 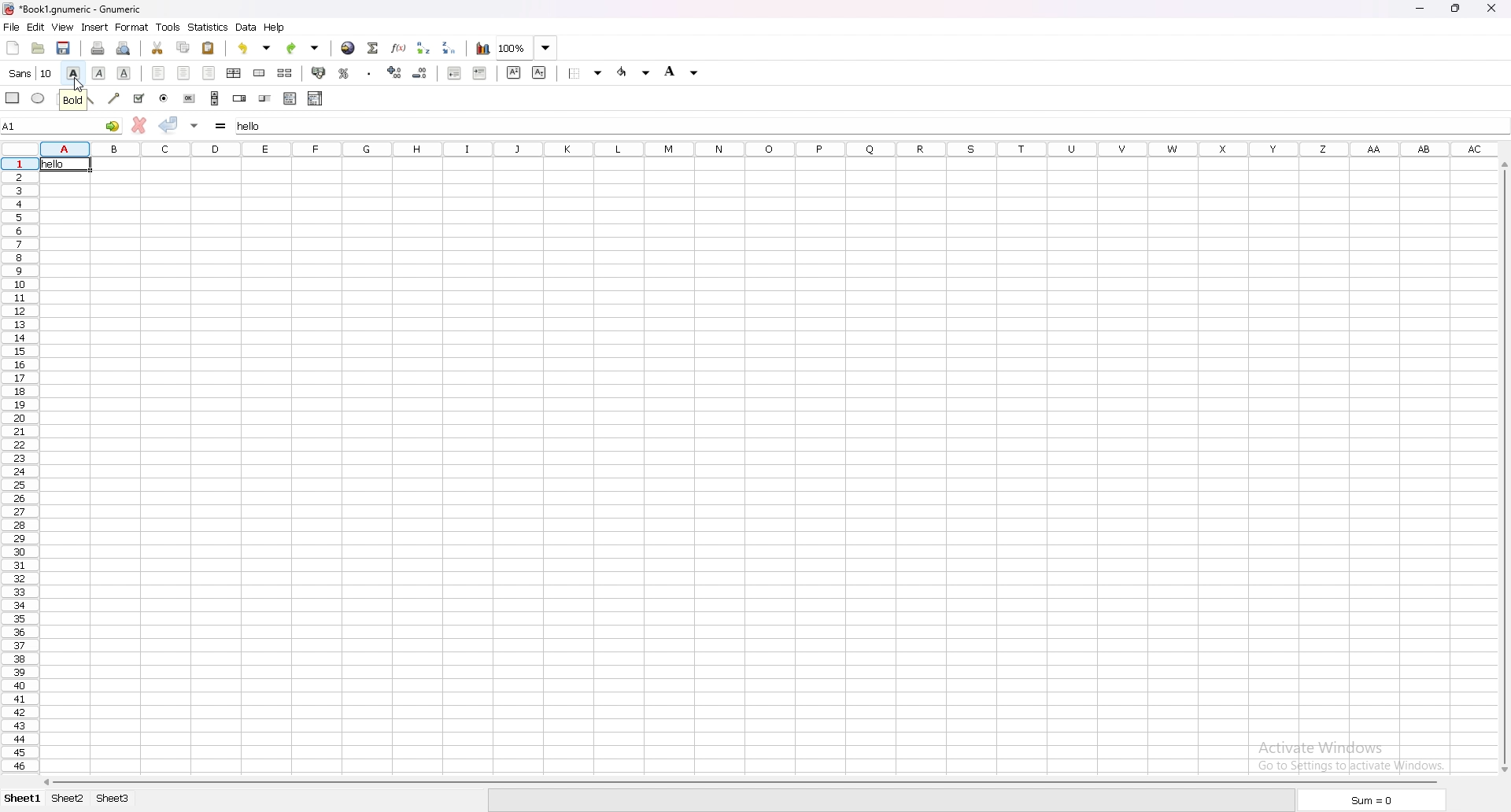 I want to click on arrowed line, so click(x=115, y=98).